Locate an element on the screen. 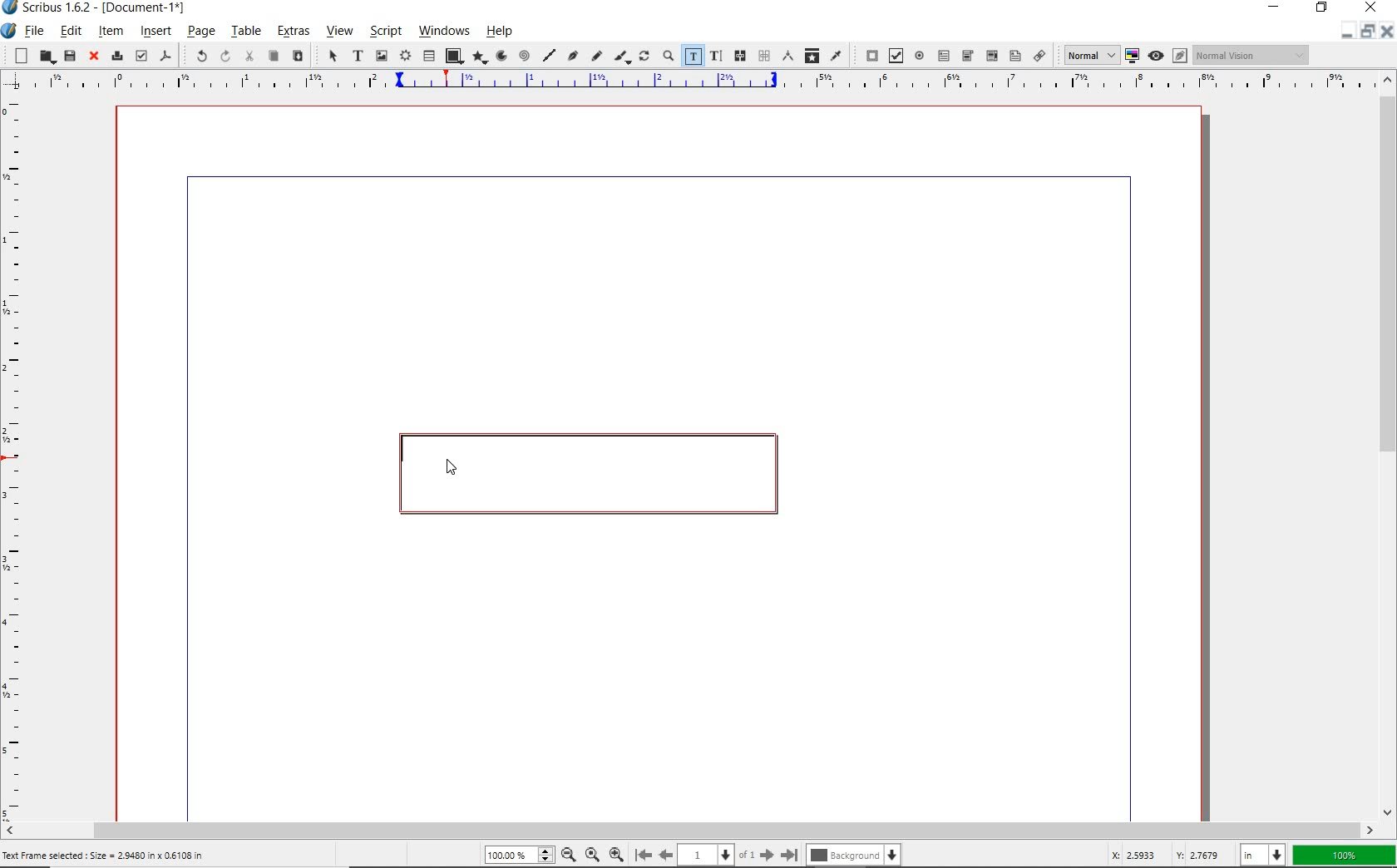  extras is located at coordinates (293, 33).